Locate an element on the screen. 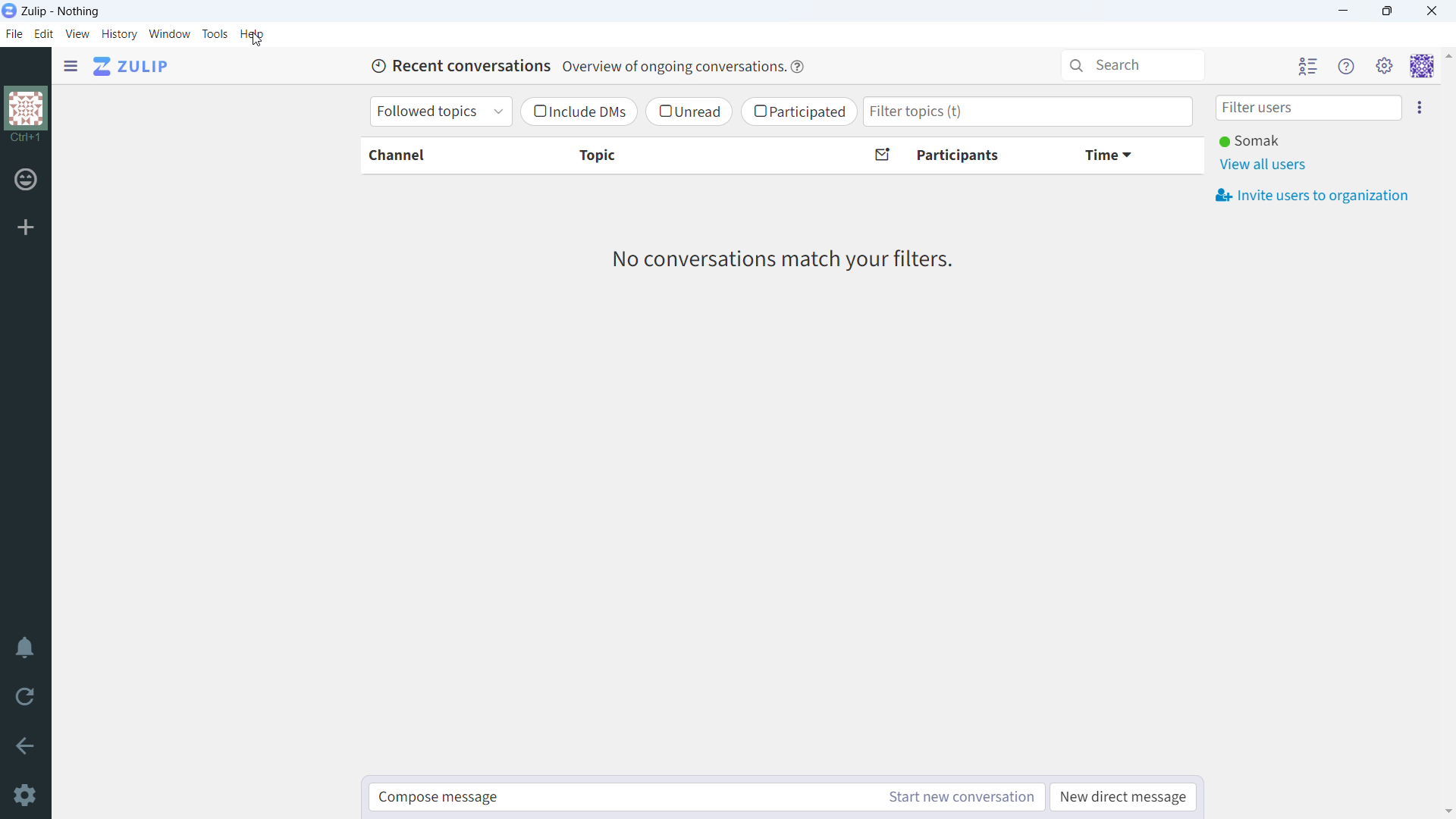 Image resolution: width=1456 pixels, height=819 pixels. include DMs is located at coordinates (578, 112).